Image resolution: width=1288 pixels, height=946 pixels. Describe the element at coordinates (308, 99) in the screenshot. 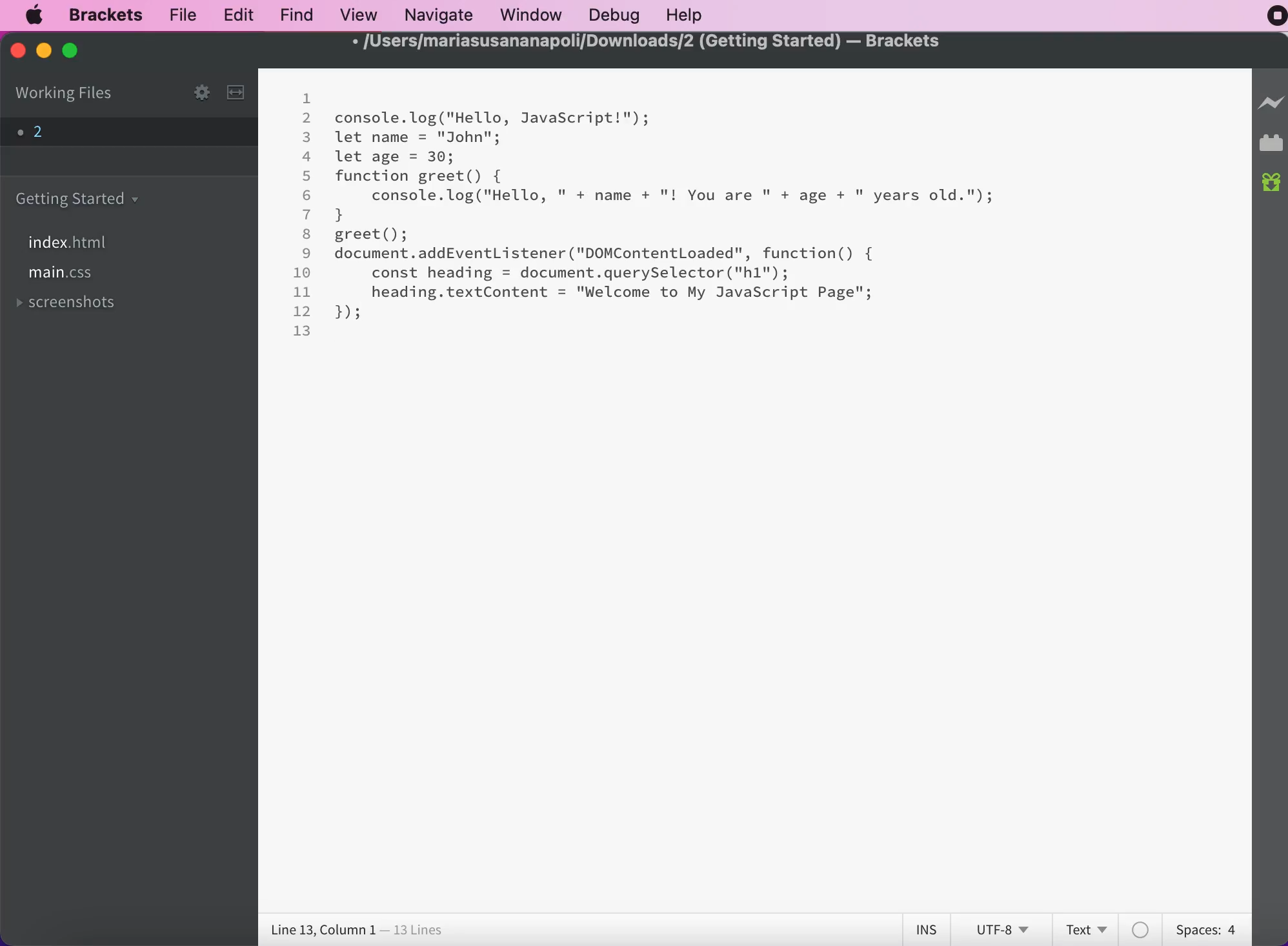

I see `1` at that location.